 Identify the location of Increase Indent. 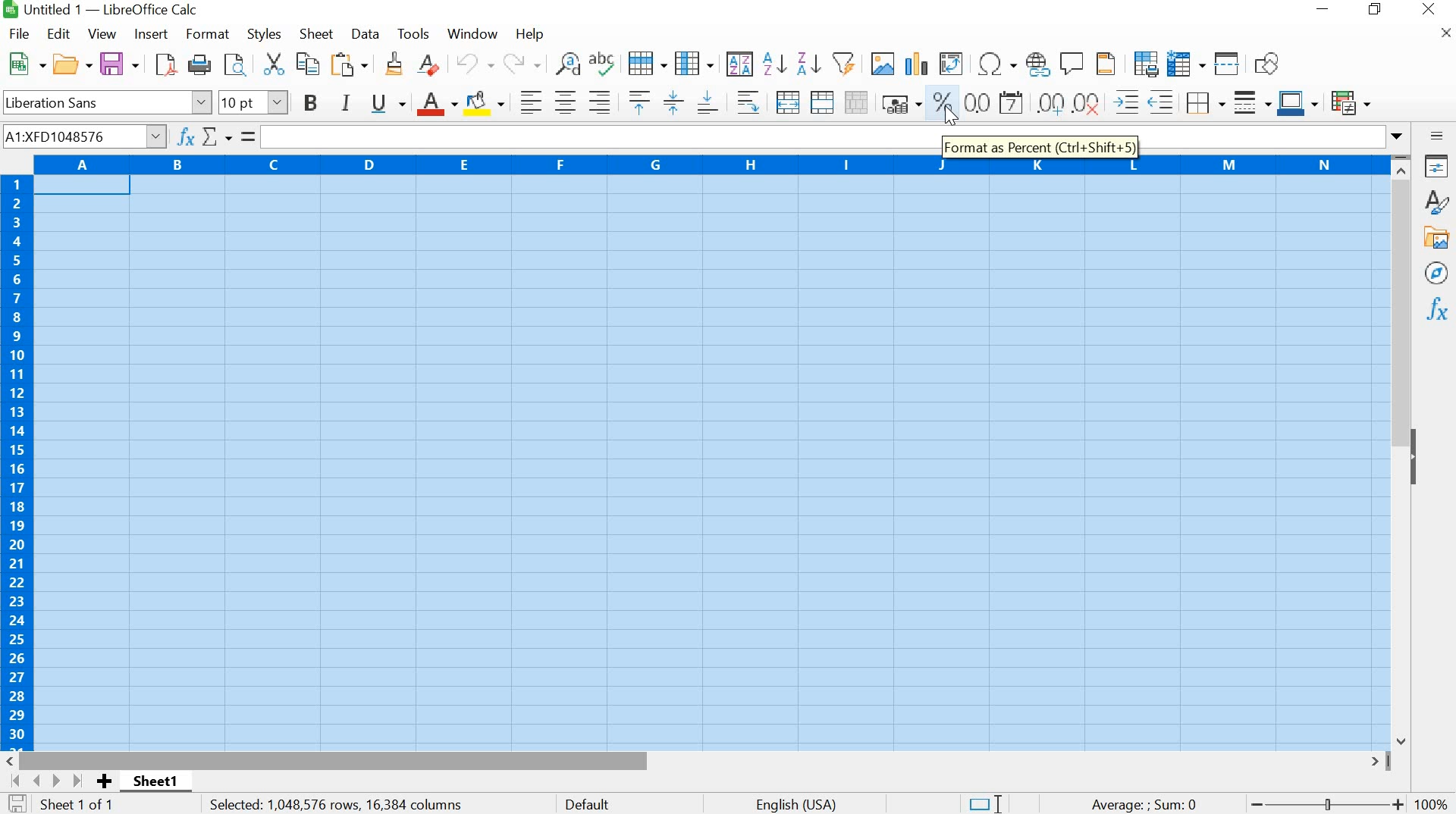
(1125, 99).